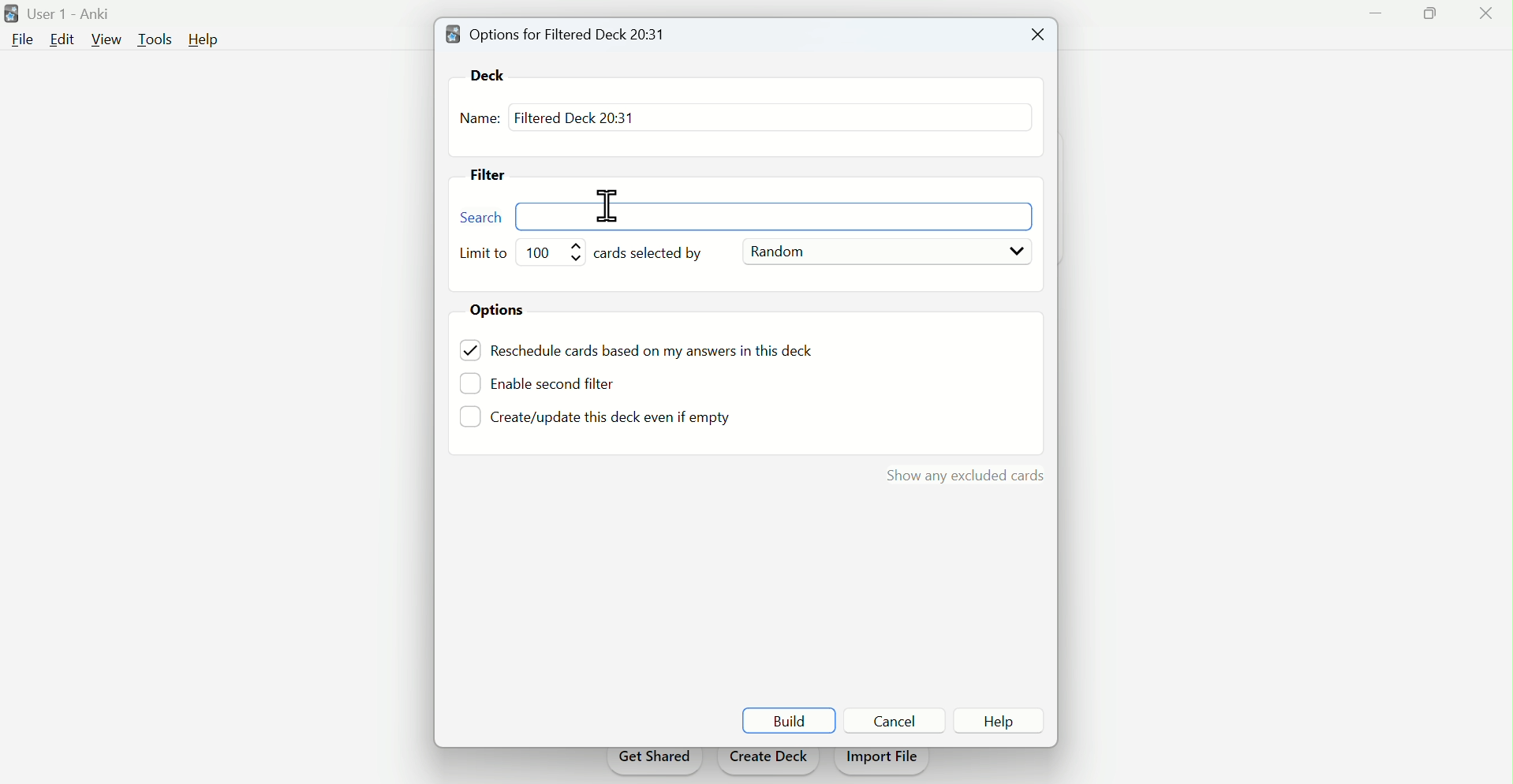 Image resolution: width=1513 pixels, height=784 pixels. I want to click on reschedule cards based on my answers in this tech, so click(663, 353).